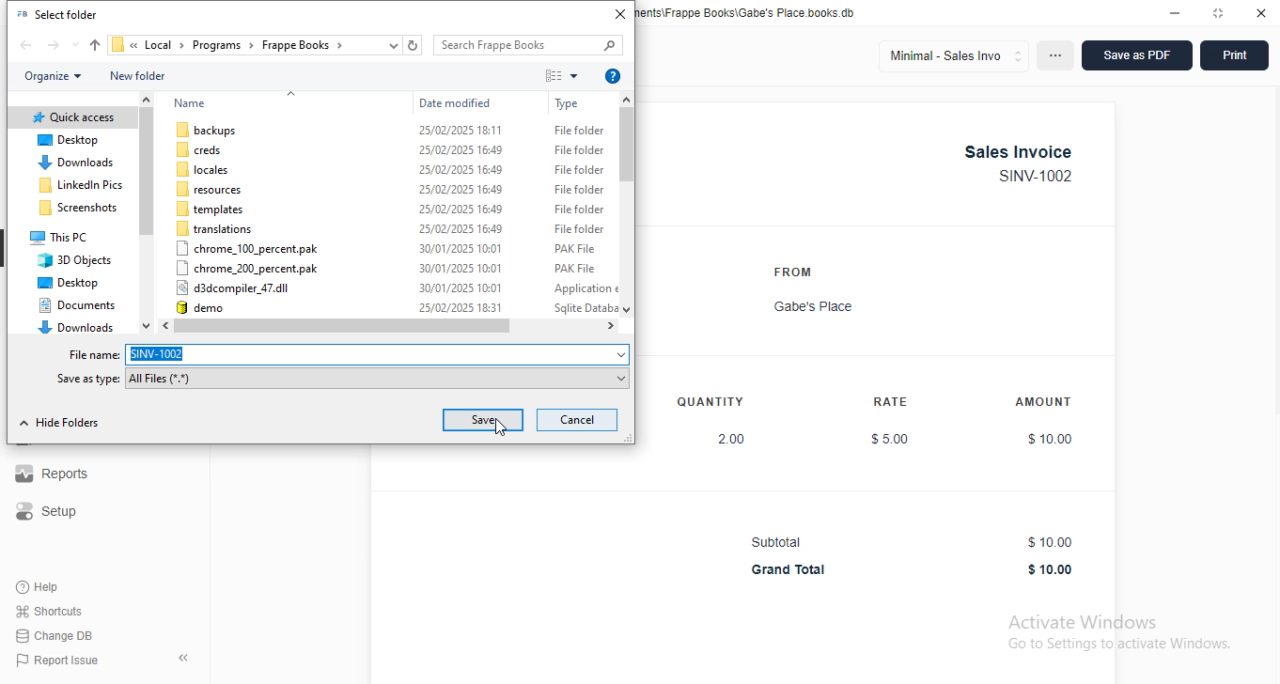 This screenshot has height=684, width=1280. What do you see at coordinates (75, 44) in the screenshot?
I see `recent locations` at bounding box center [75, 44].